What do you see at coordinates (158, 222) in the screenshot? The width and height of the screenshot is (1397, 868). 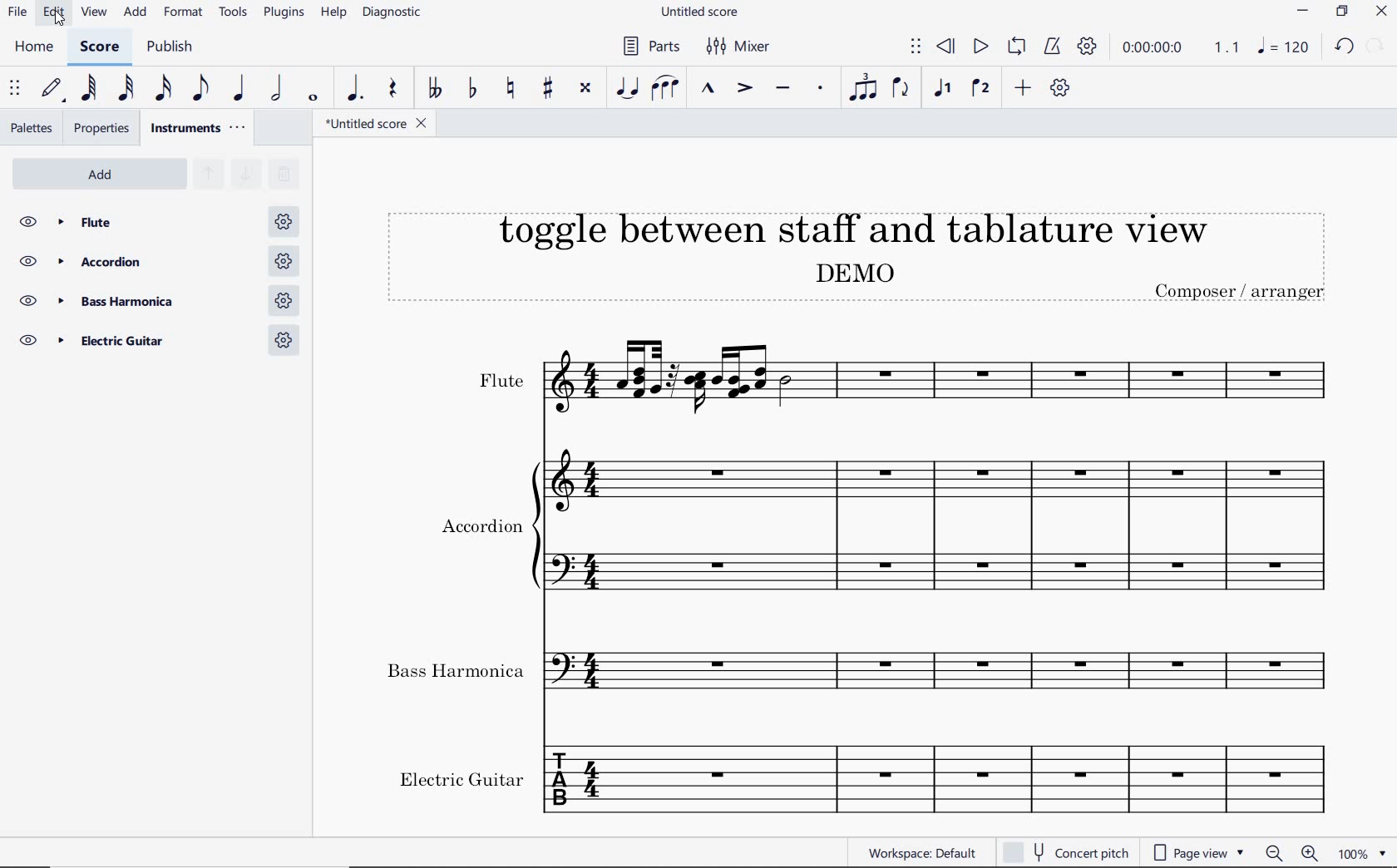 I see `Flute` at bounding box center [158, 222].